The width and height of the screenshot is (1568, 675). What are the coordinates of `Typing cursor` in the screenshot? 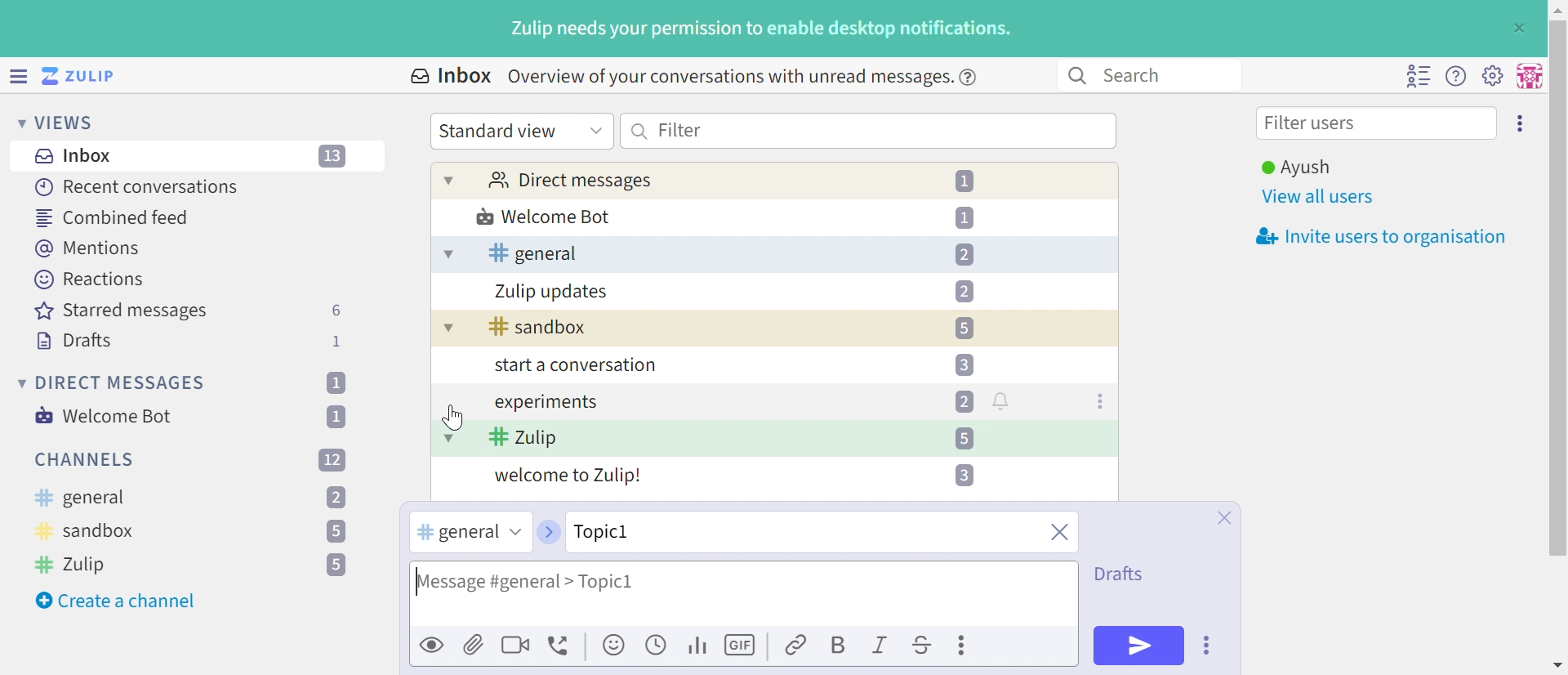 It's located at (418, 579).